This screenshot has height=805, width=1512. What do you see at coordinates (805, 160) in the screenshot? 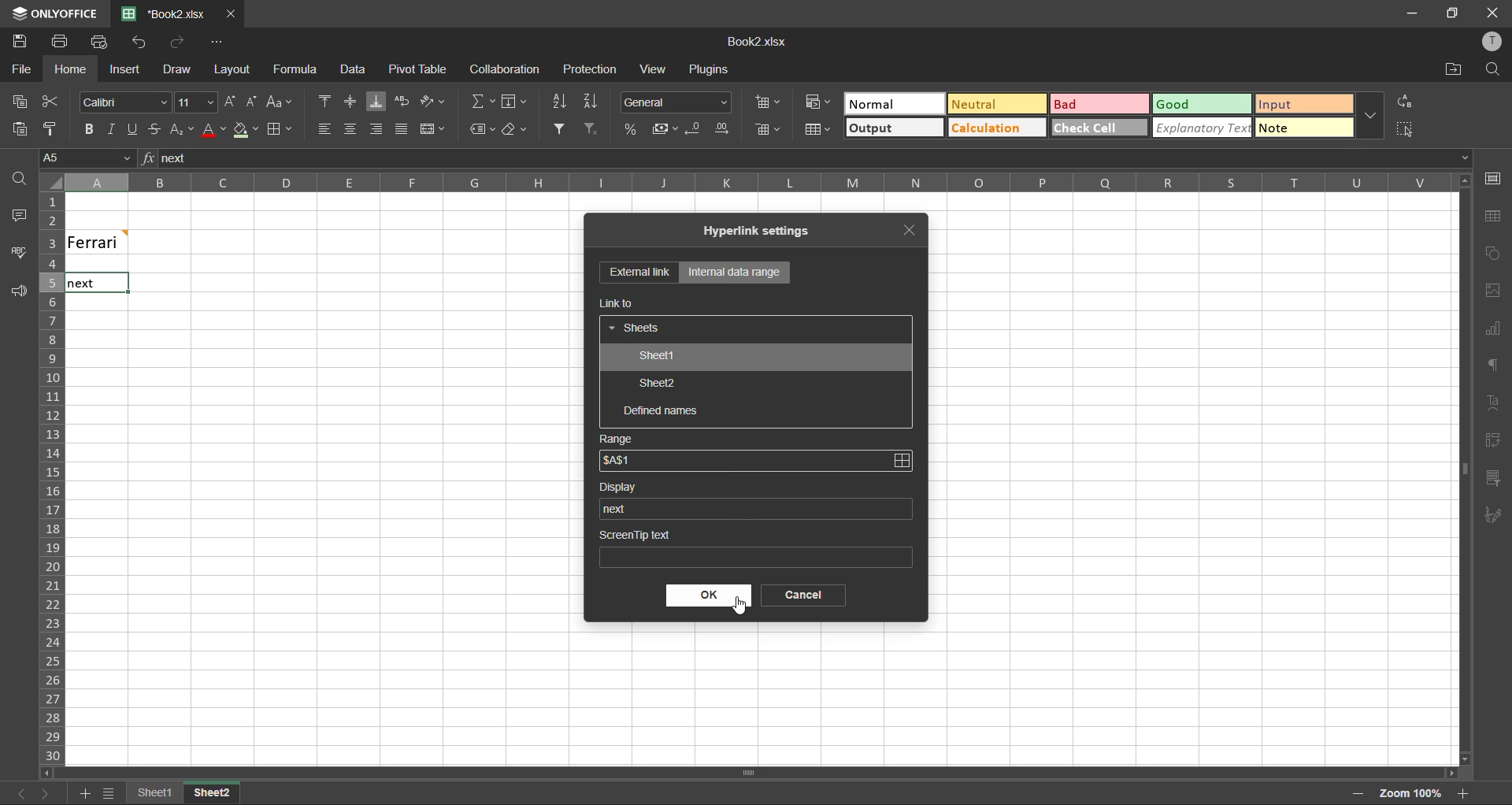
I see `formula bar` at bounding box center [805, 160].